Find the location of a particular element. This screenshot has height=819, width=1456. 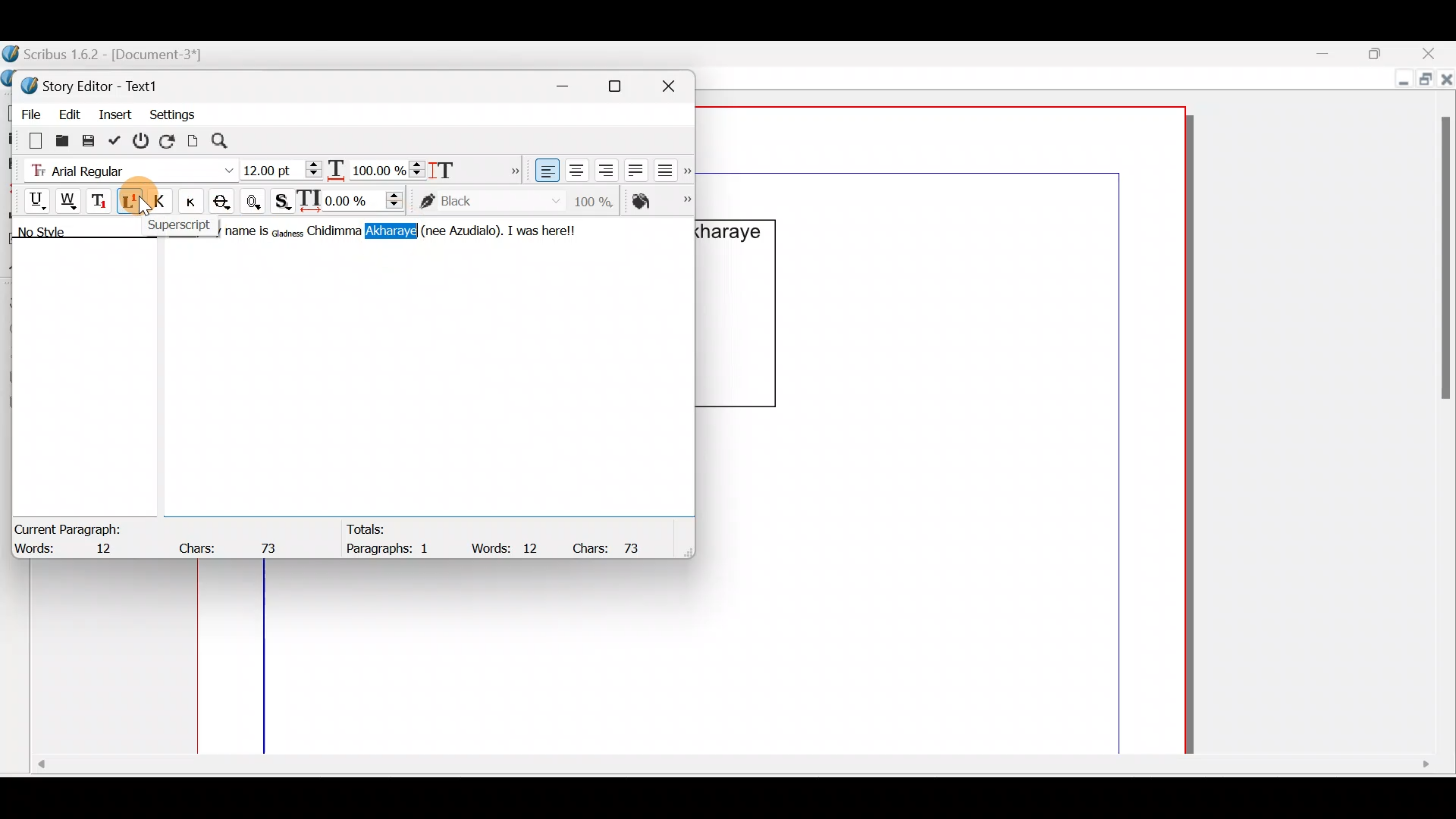

Saturation of color of text stroke is located at coordinates (599, 199).